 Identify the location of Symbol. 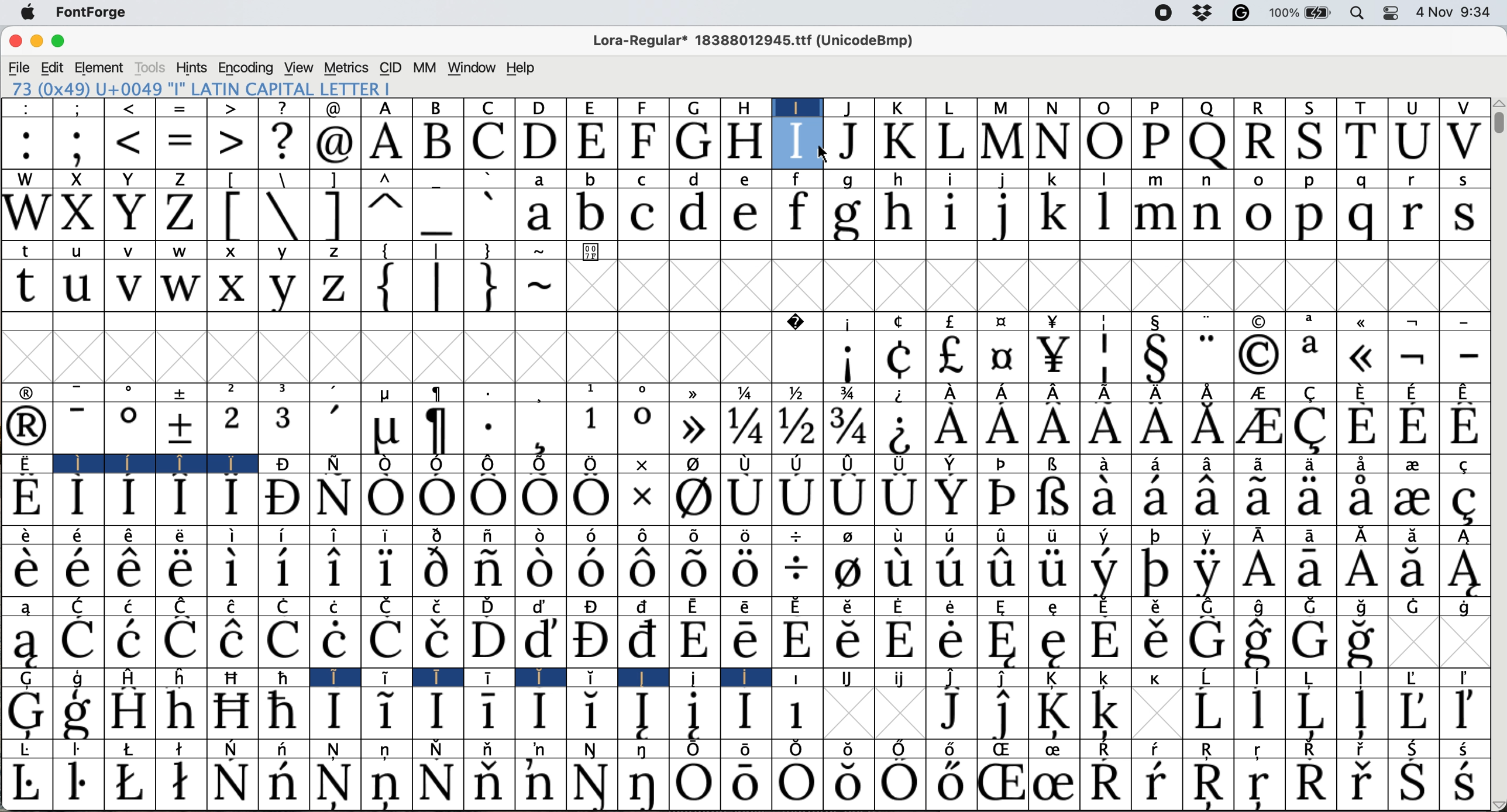
(696, 713).